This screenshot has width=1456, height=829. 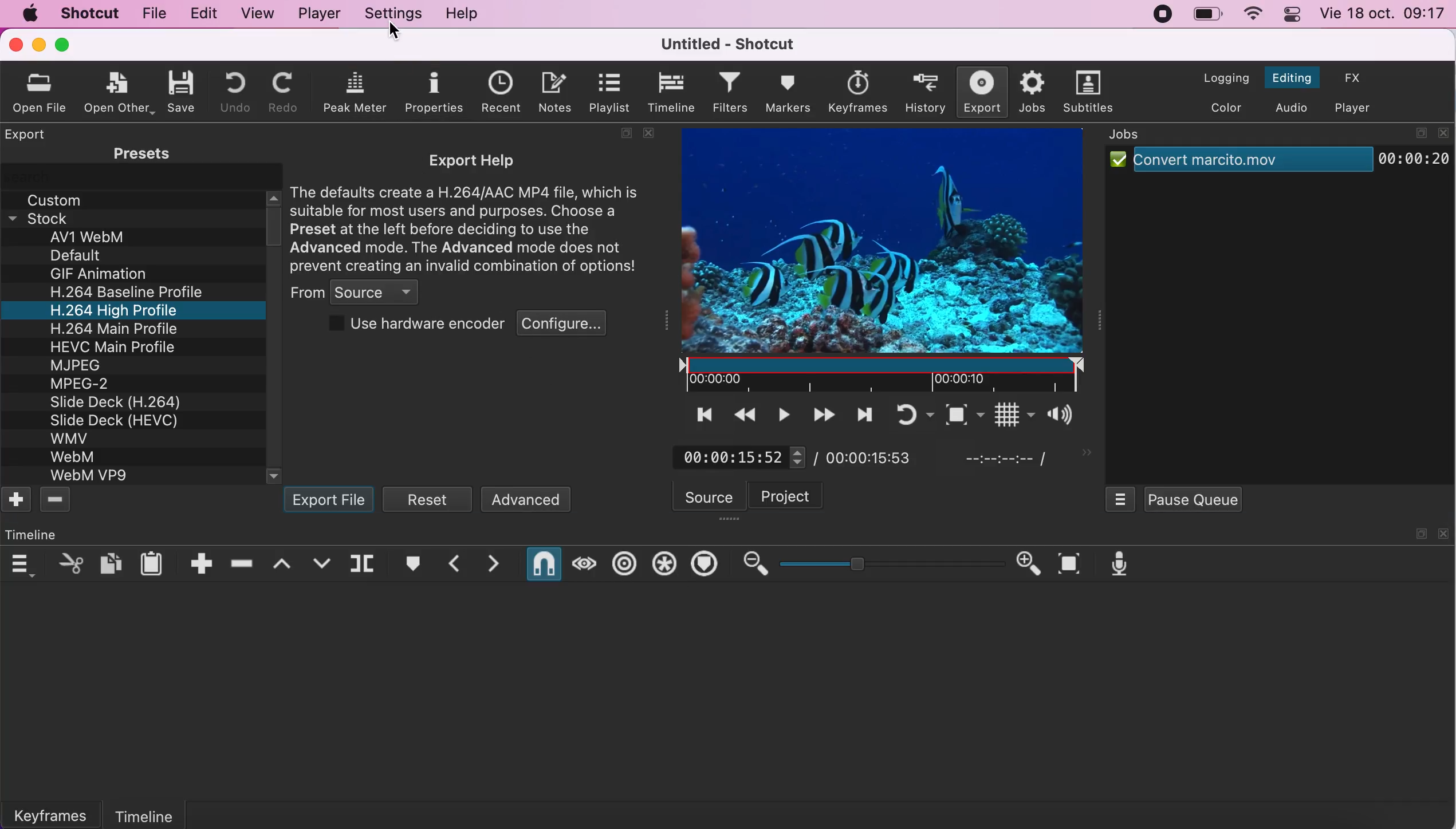 I want to click on close, so click(x=654, y=133).